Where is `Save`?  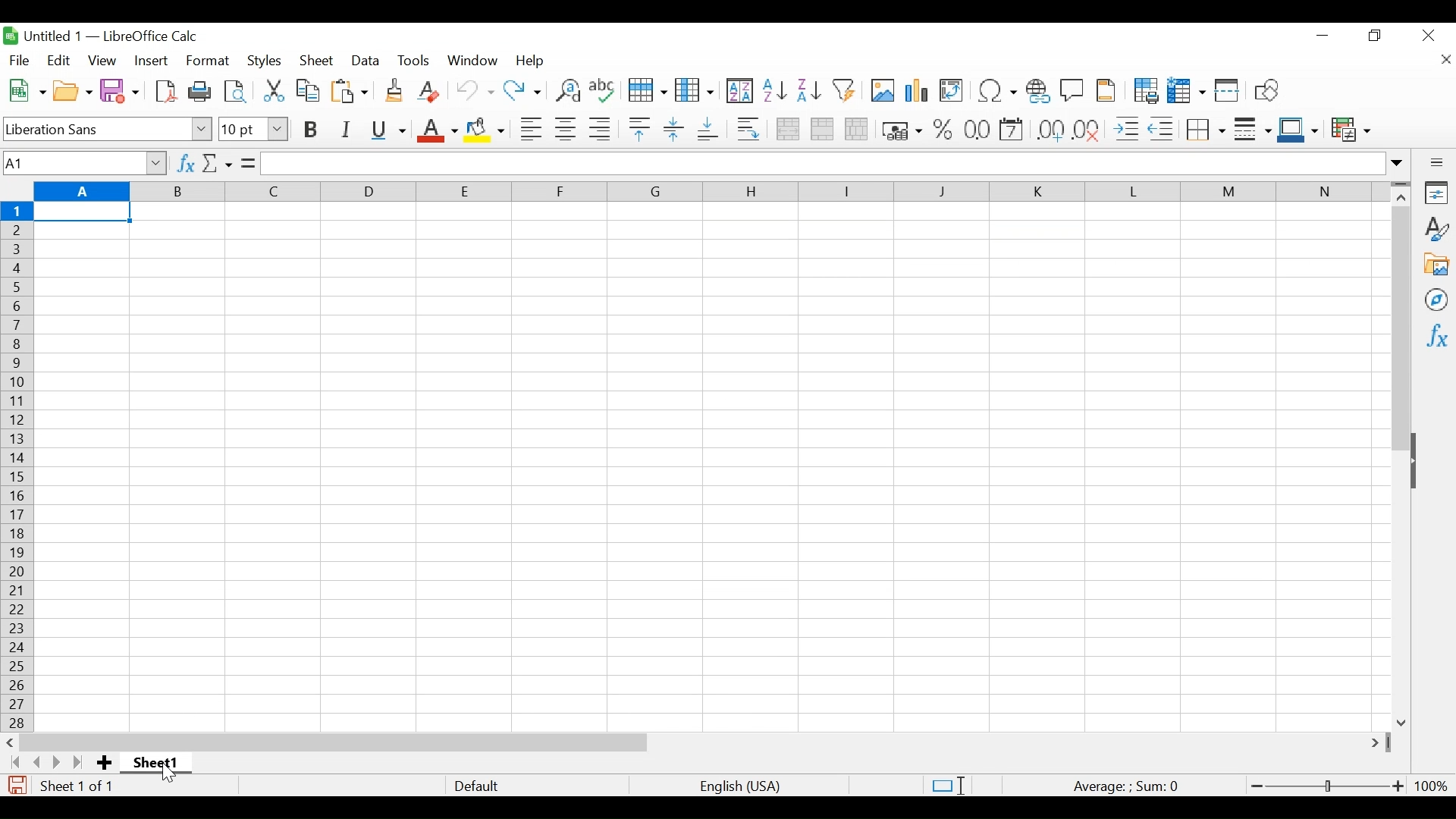 Save is located at coordinates (119, 89).